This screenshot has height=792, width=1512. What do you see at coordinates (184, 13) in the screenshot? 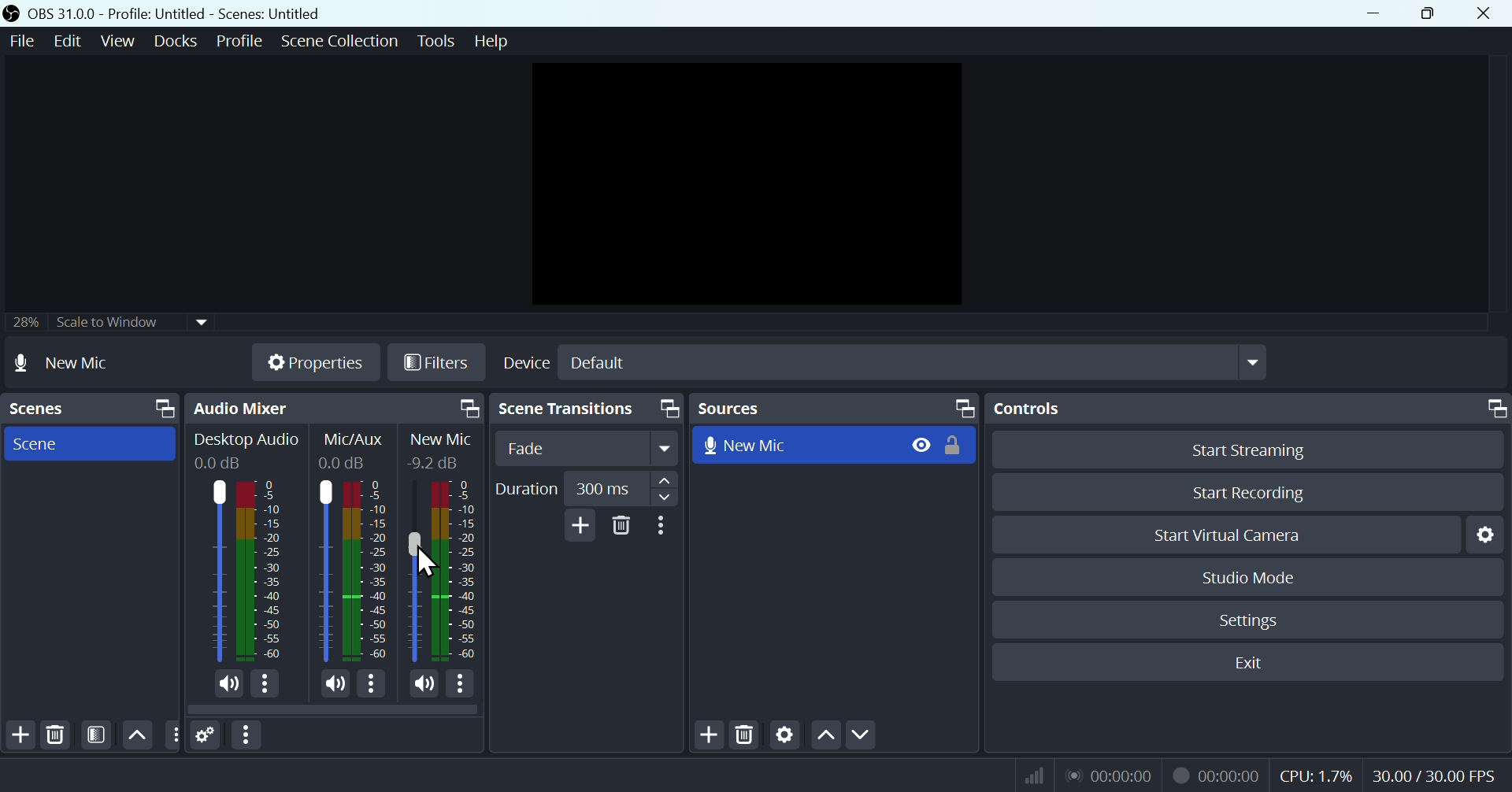
I see `OBS 31.0 .0 profile: untitled scenes: untitled` at bounding box center [184, 13].